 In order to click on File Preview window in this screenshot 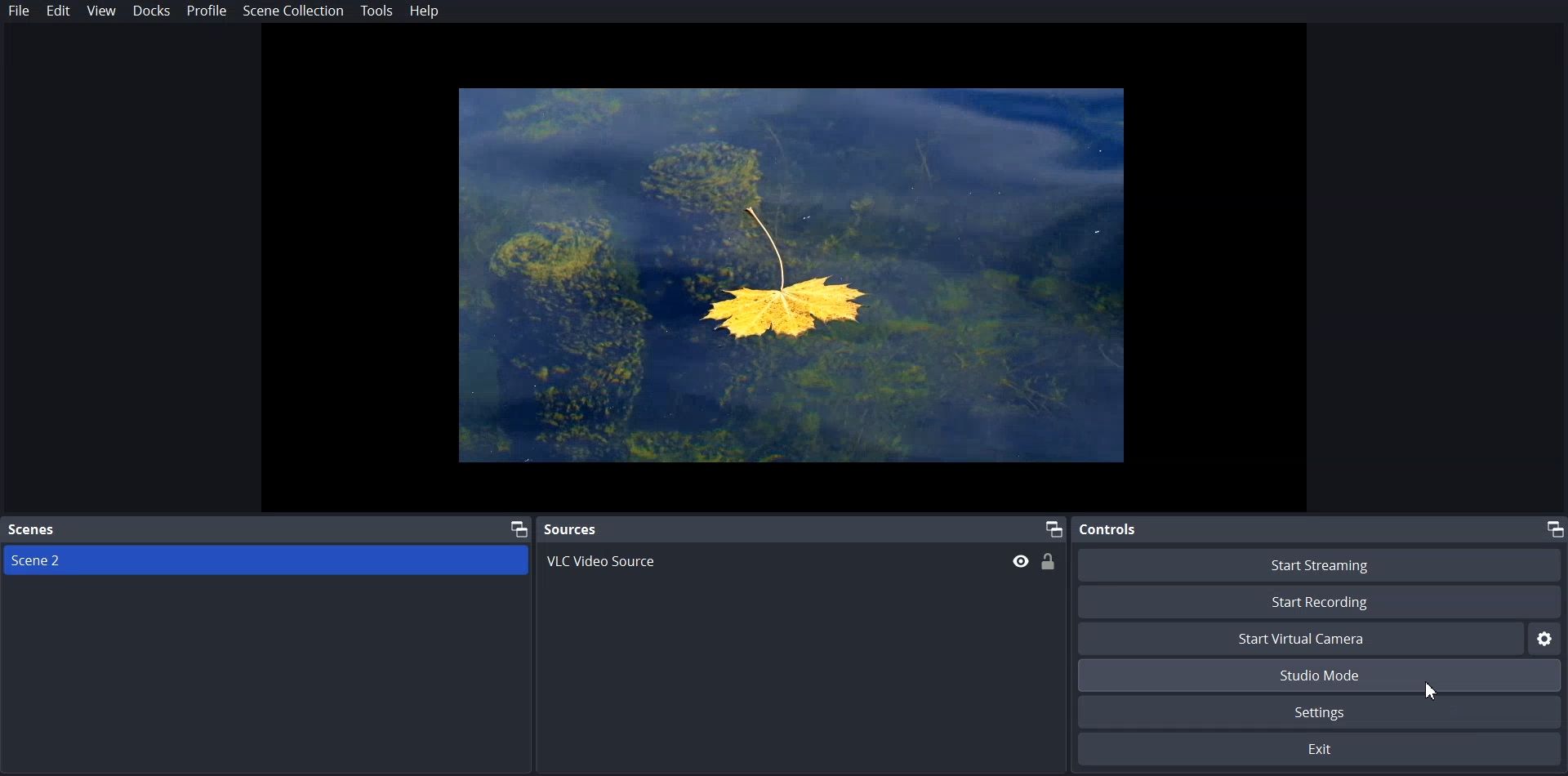, I will do `click(791, 277)`.